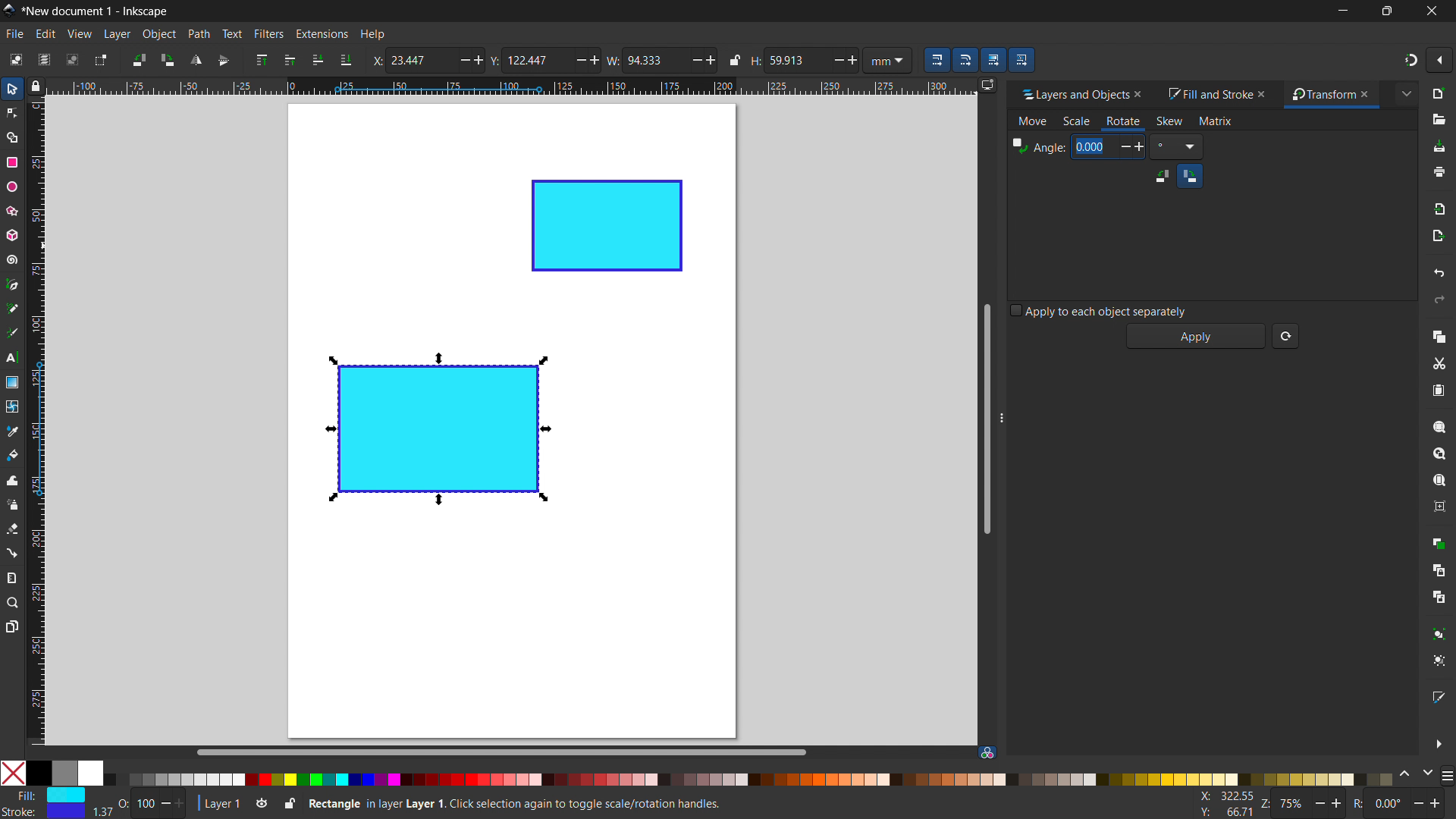 The width and height of the screenshot is (1456, 819). What do you see at coordinates (10, 210) in the screenshot?
I see `star/polygon tool` at bounding box center [10, 210].